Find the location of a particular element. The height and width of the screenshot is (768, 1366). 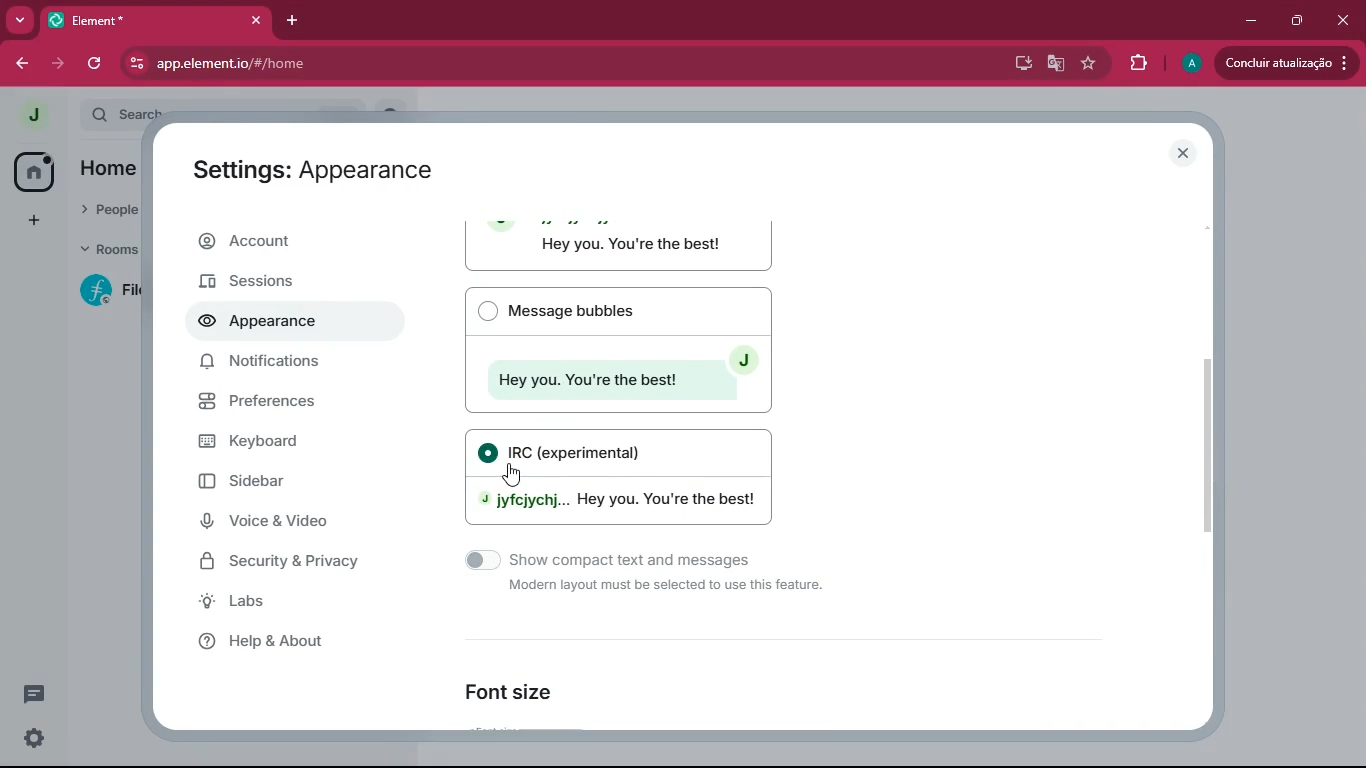

message is located at coordinates (32, 694).